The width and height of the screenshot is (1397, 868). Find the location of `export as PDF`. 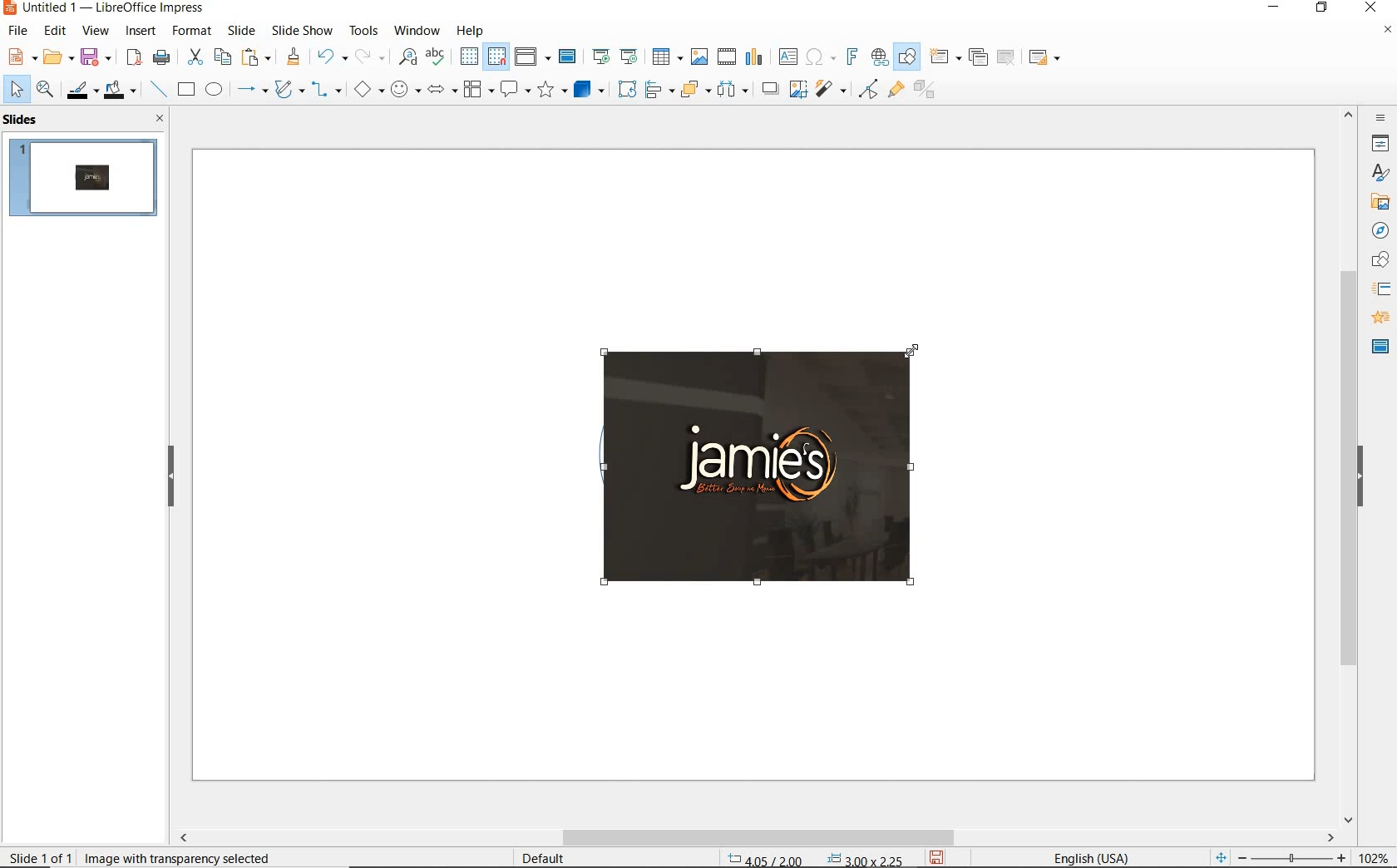

export as PDF is located at coordinates (134, 58).